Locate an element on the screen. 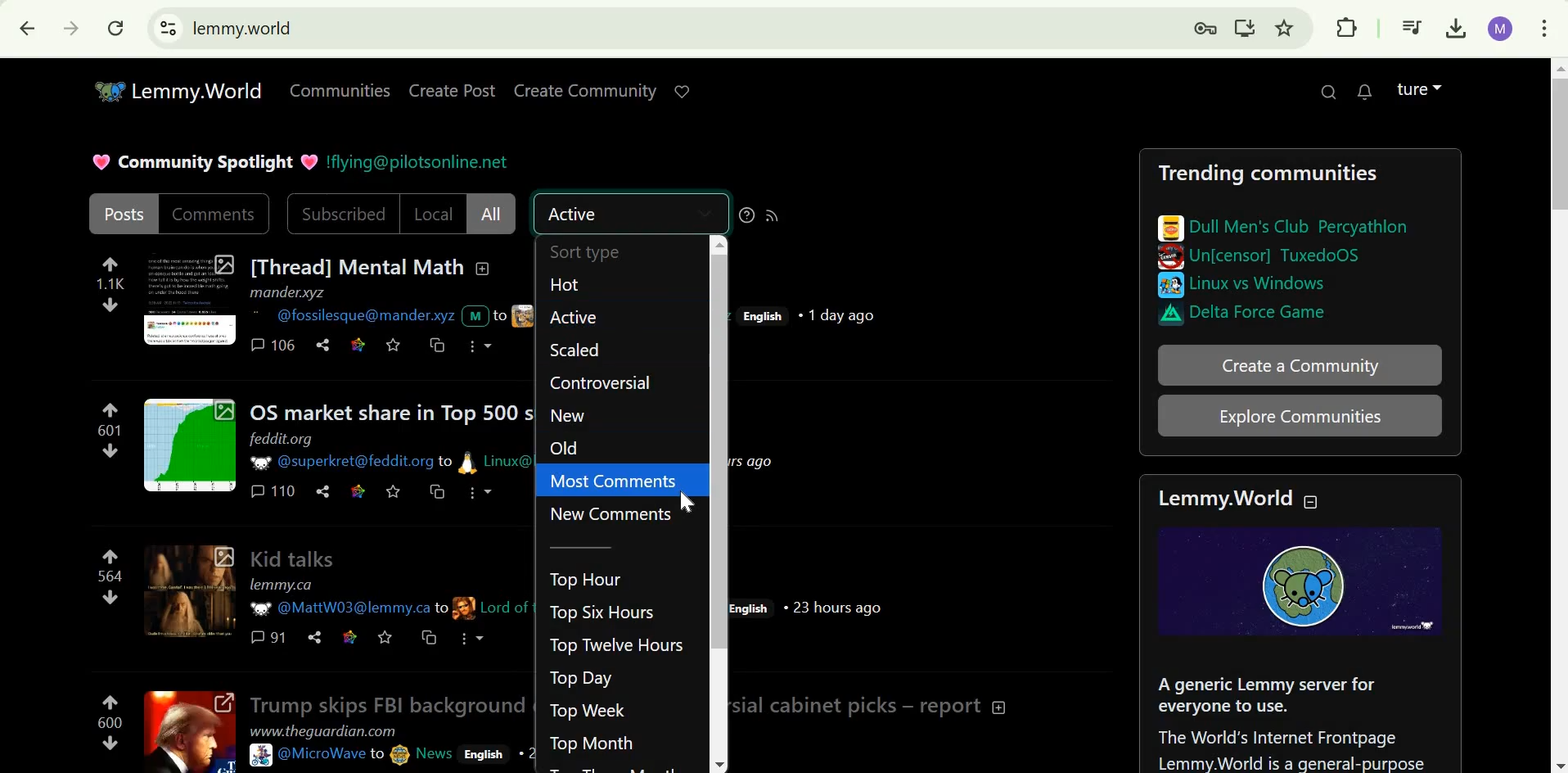  Hot is located at coordinates (566, 283).